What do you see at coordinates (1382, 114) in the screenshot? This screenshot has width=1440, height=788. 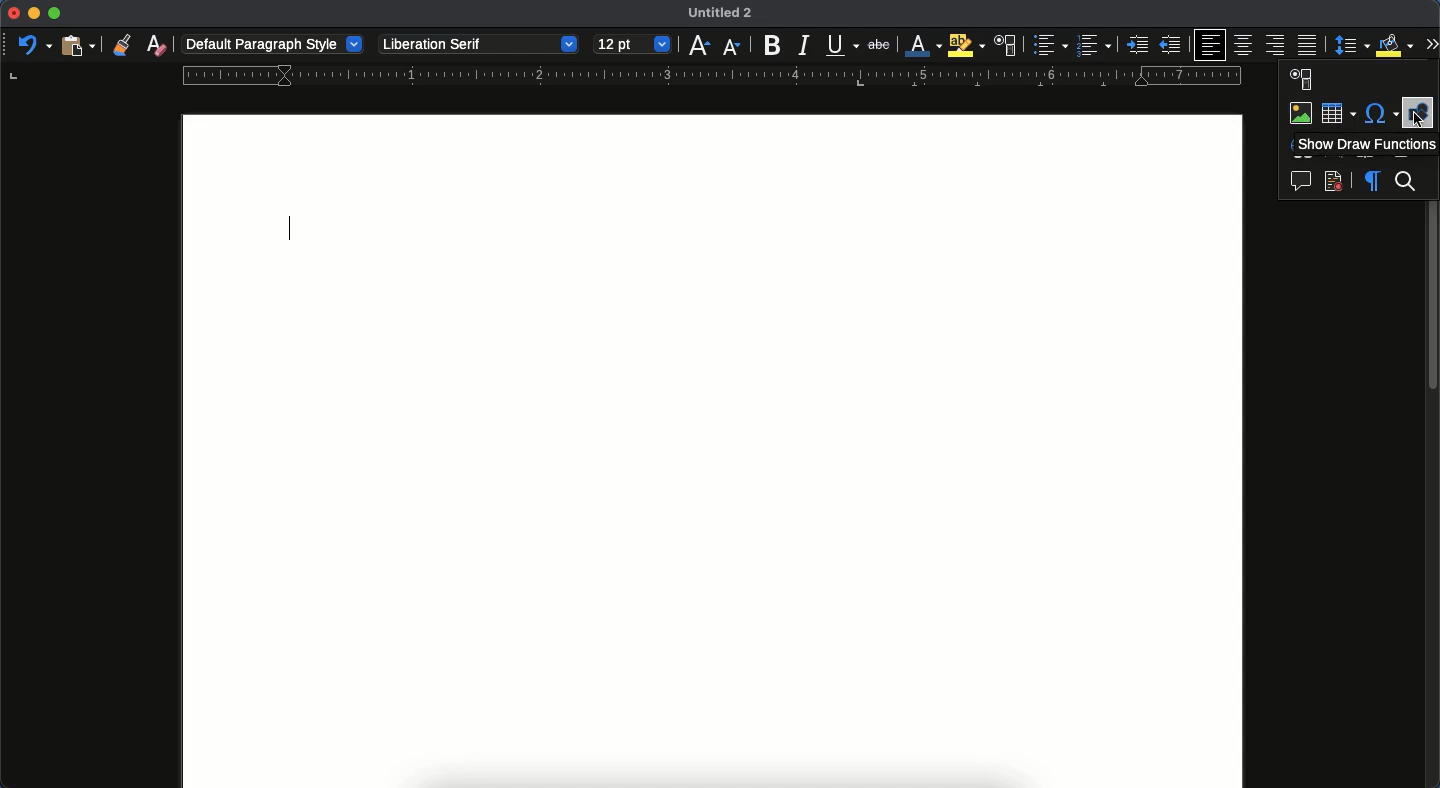 I see `special character` at bounding box center [1382, 114].